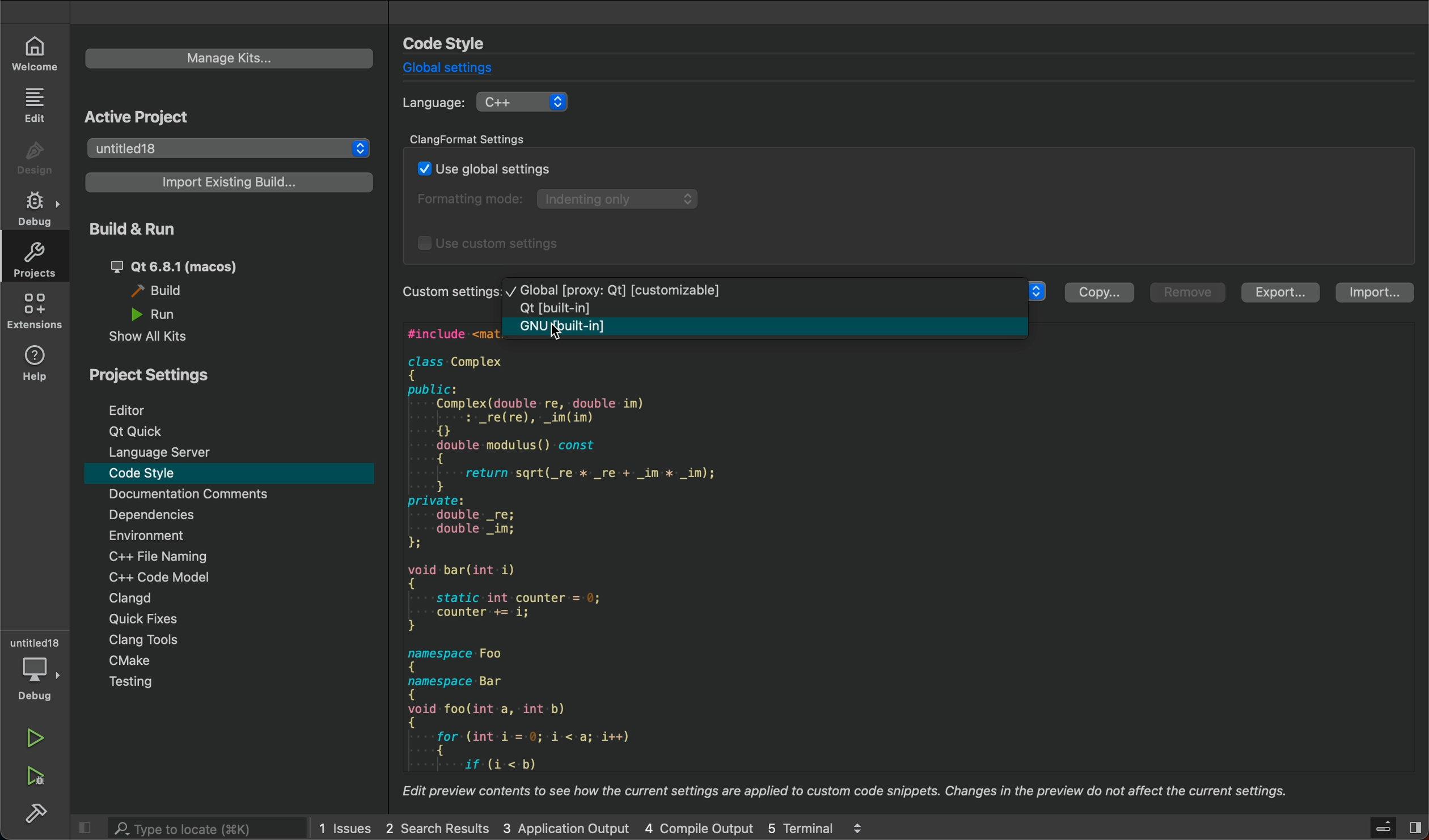 This screenshot has height=840, width=1429. I want to click on close sidebar, so click(88, 826).